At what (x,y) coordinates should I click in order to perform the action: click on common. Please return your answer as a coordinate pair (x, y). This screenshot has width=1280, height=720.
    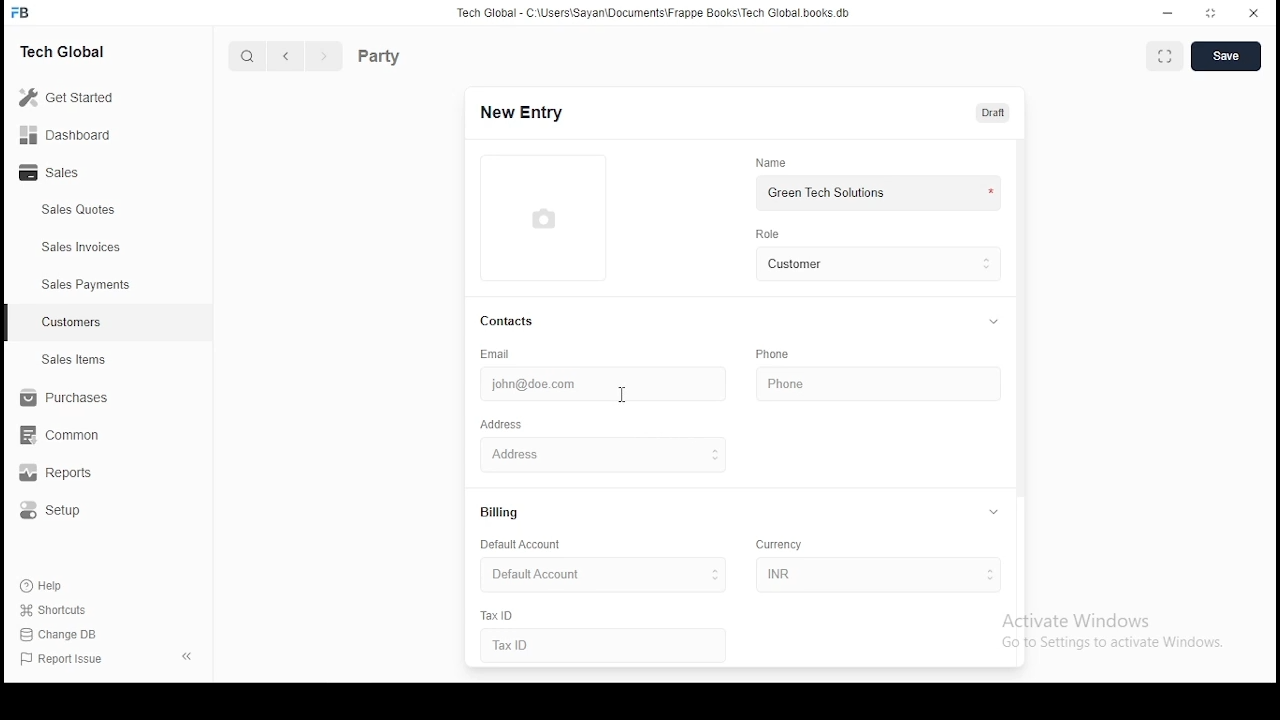
    Looking at the image, I should click on (59, 437).